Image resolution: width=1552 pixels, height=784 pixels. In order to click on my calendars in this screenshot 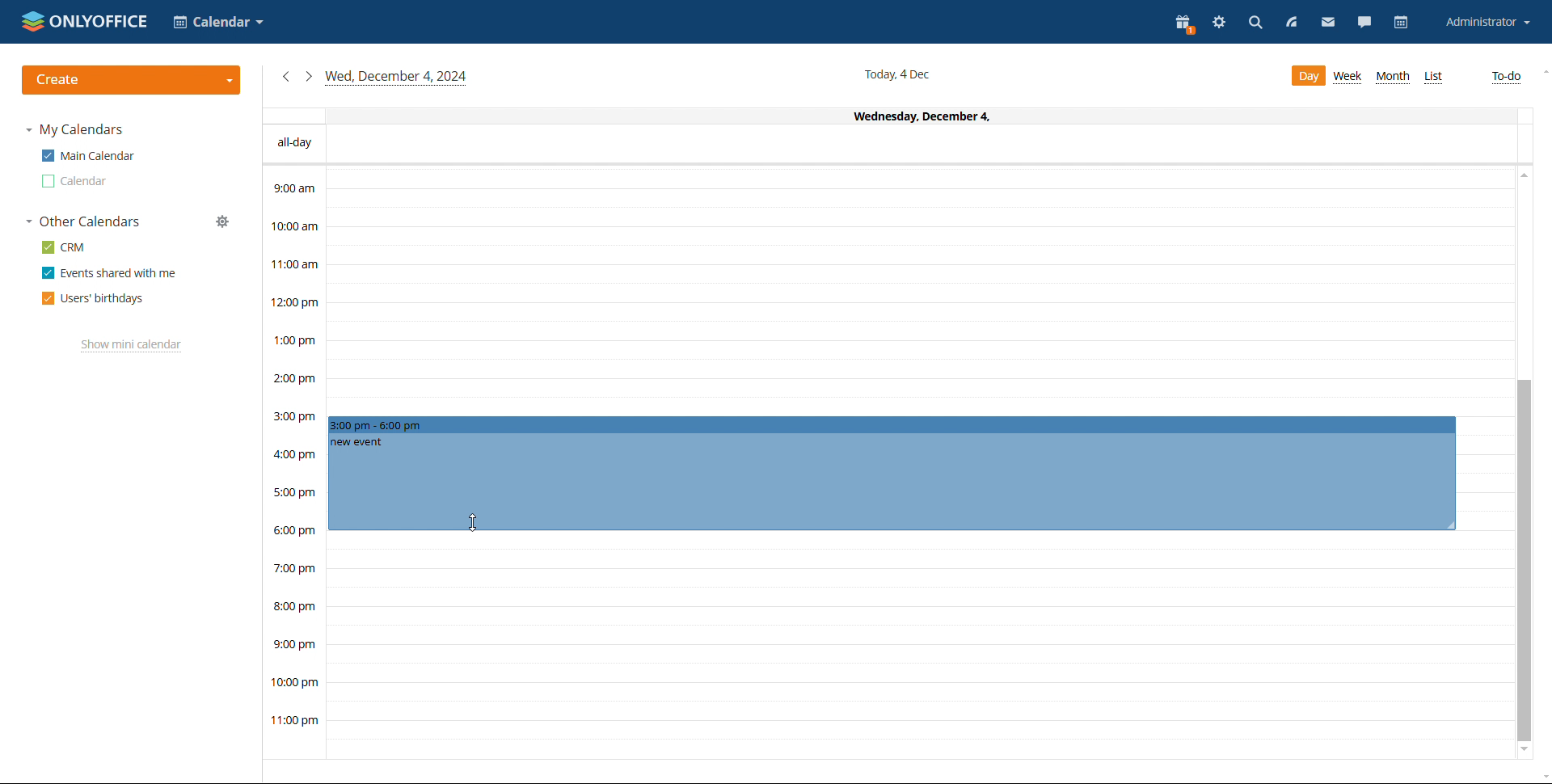, I will do `click(74, 129)`.